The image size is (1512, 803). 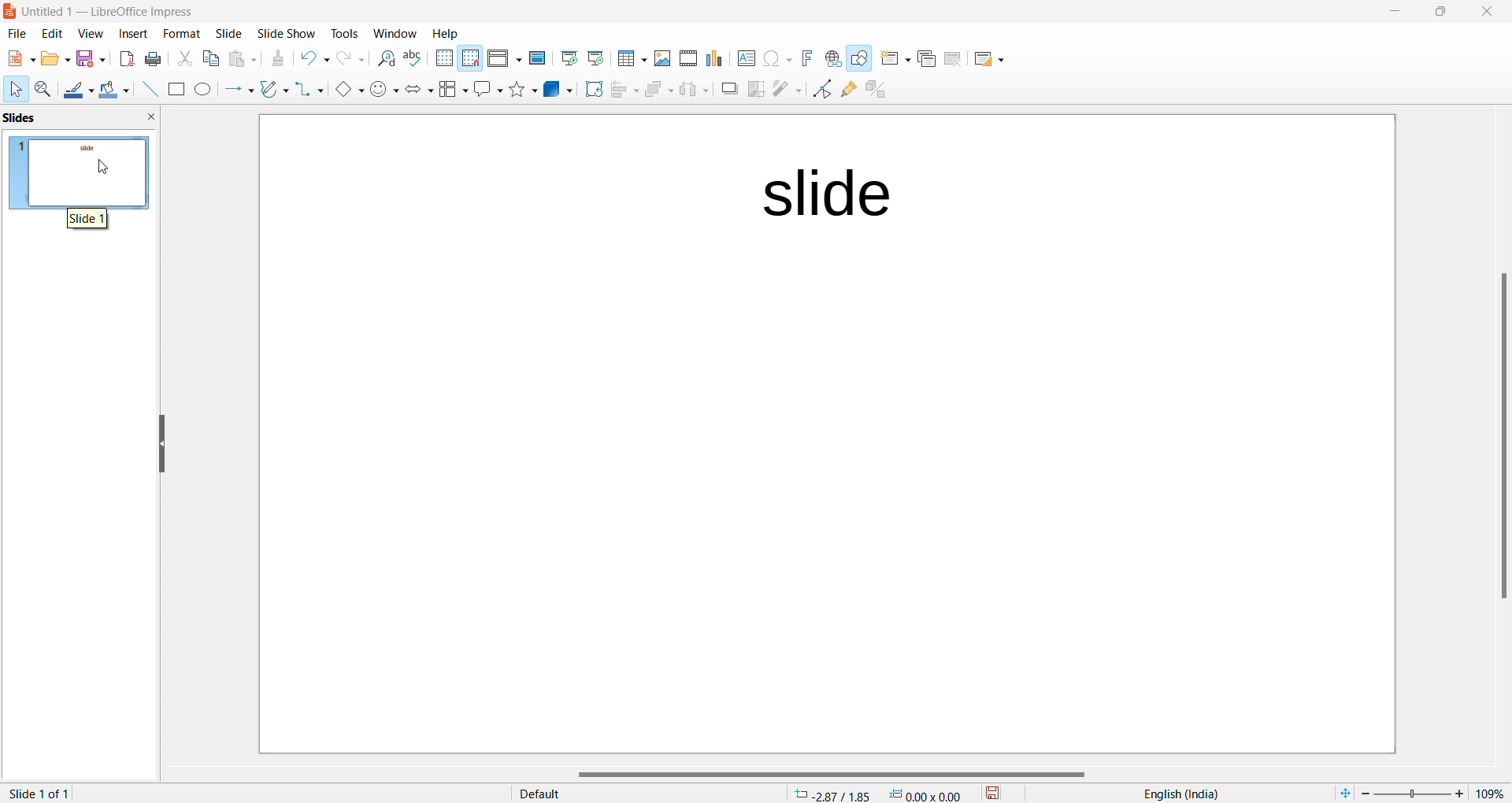 I want to click on Insert font work text, so click(x=806, y=58).